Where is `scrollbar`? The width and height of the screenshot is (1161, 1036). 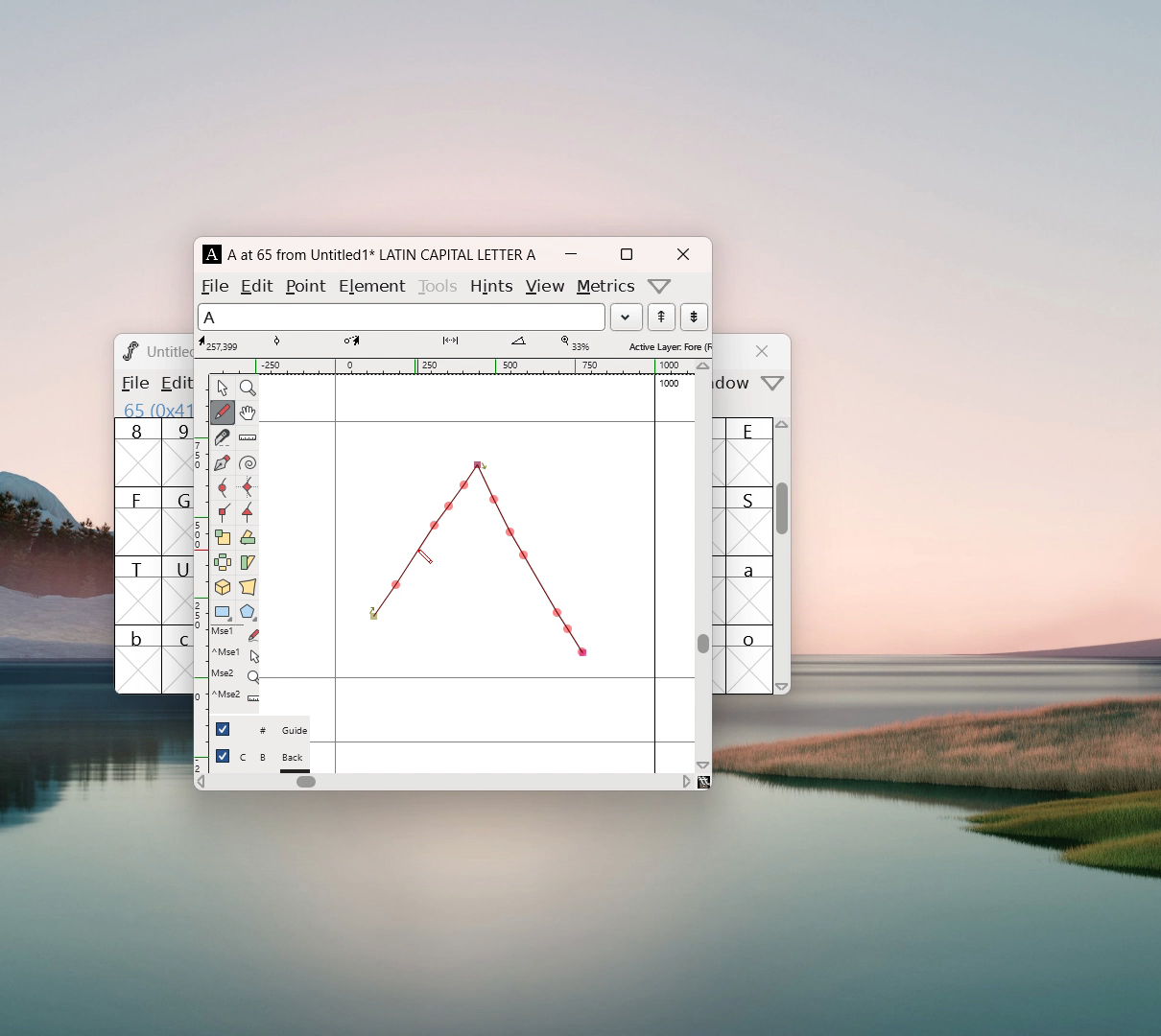 scrollbar is located at coordinates (783, 518).